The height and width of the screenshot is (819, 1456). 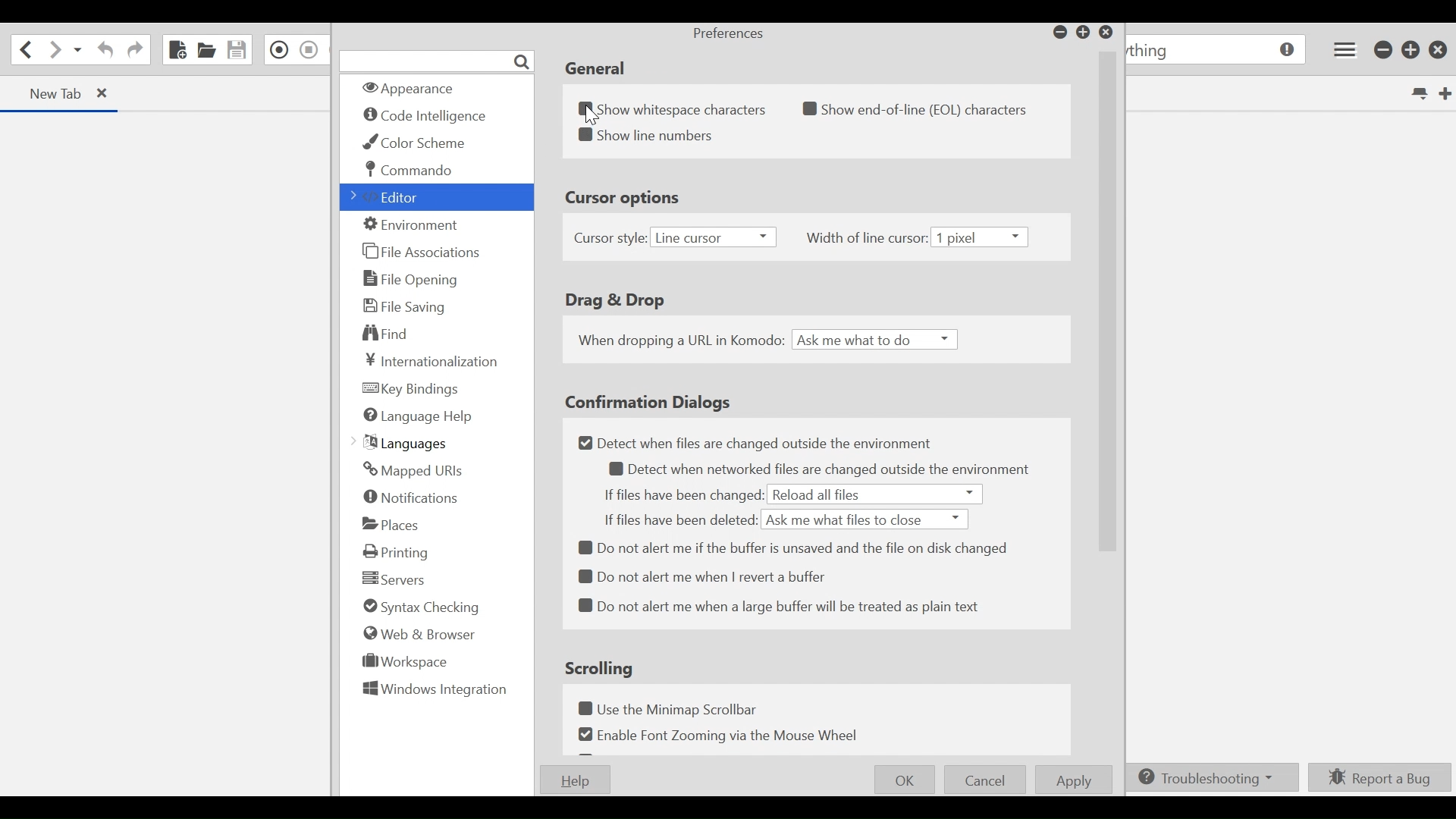 What do you see at coordinates (782, 607) in the screenshot?
I see `Do not alert me when a large buffer will be treated as plain text` at bounding box center [782, 607].